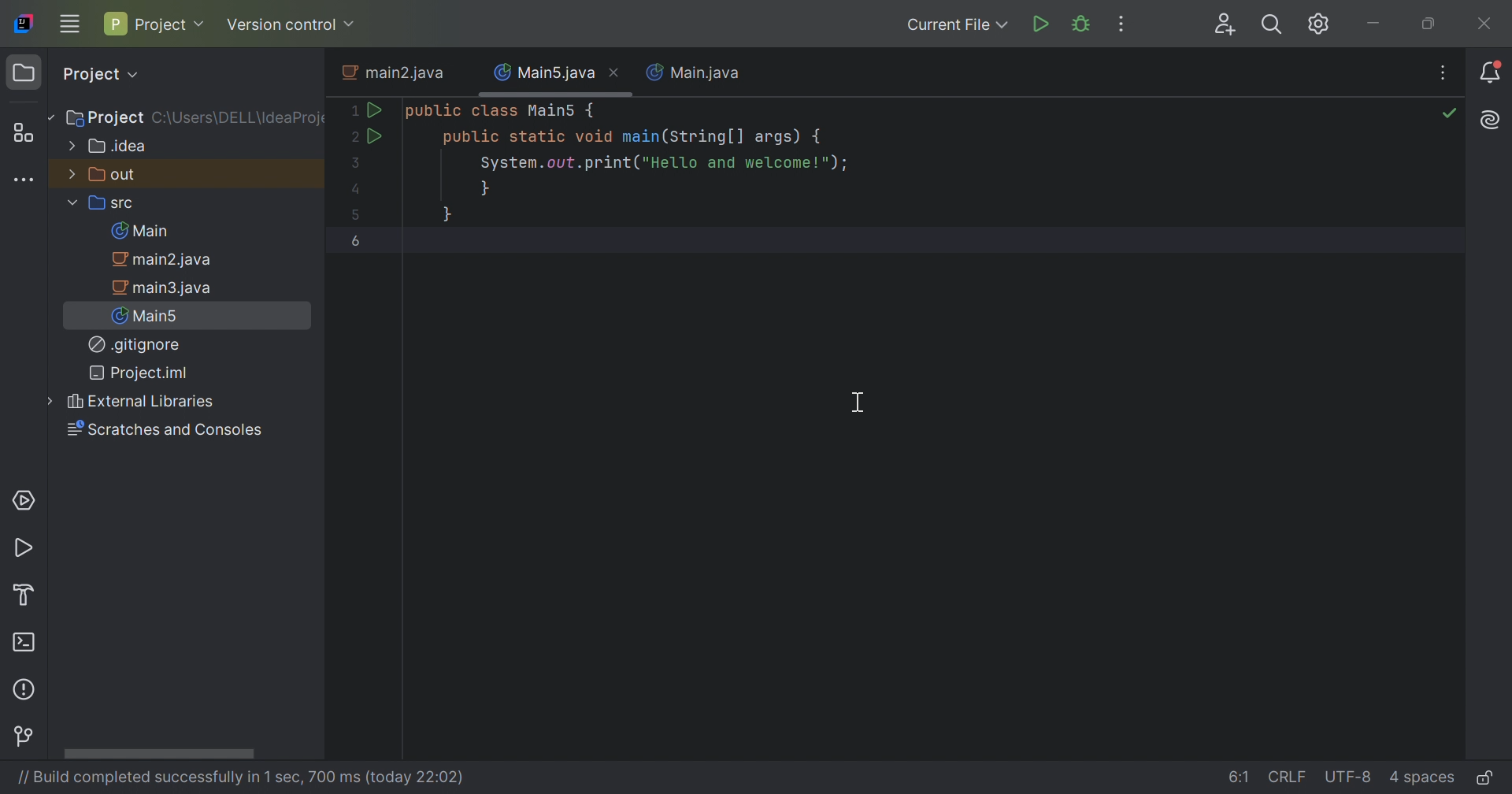 Image resolution: width=1512 pixels, height=794 pixels. I want to click on Run, so click(27, 550).